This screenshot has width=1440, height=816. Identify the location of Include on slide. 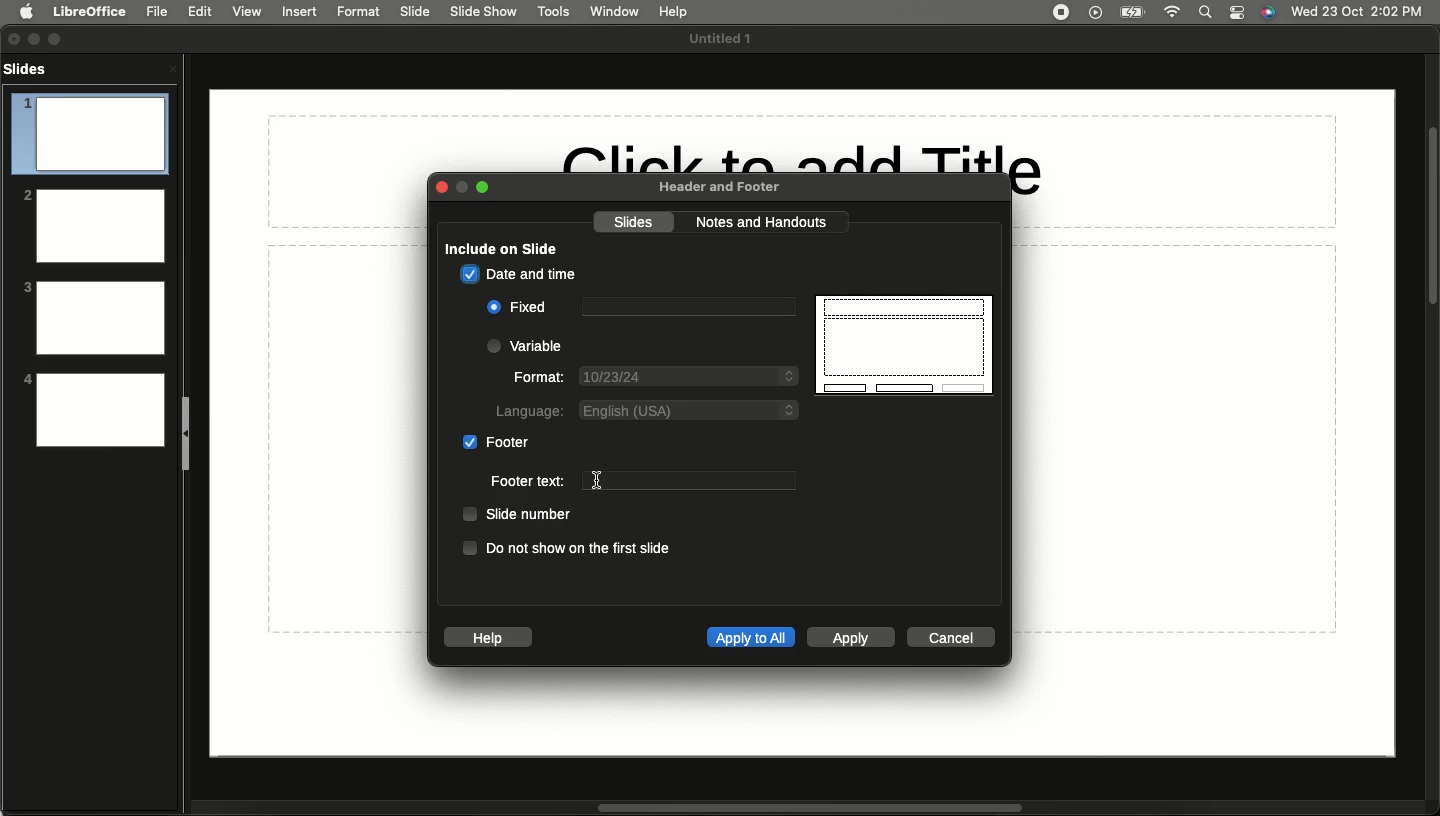
(499, 246).